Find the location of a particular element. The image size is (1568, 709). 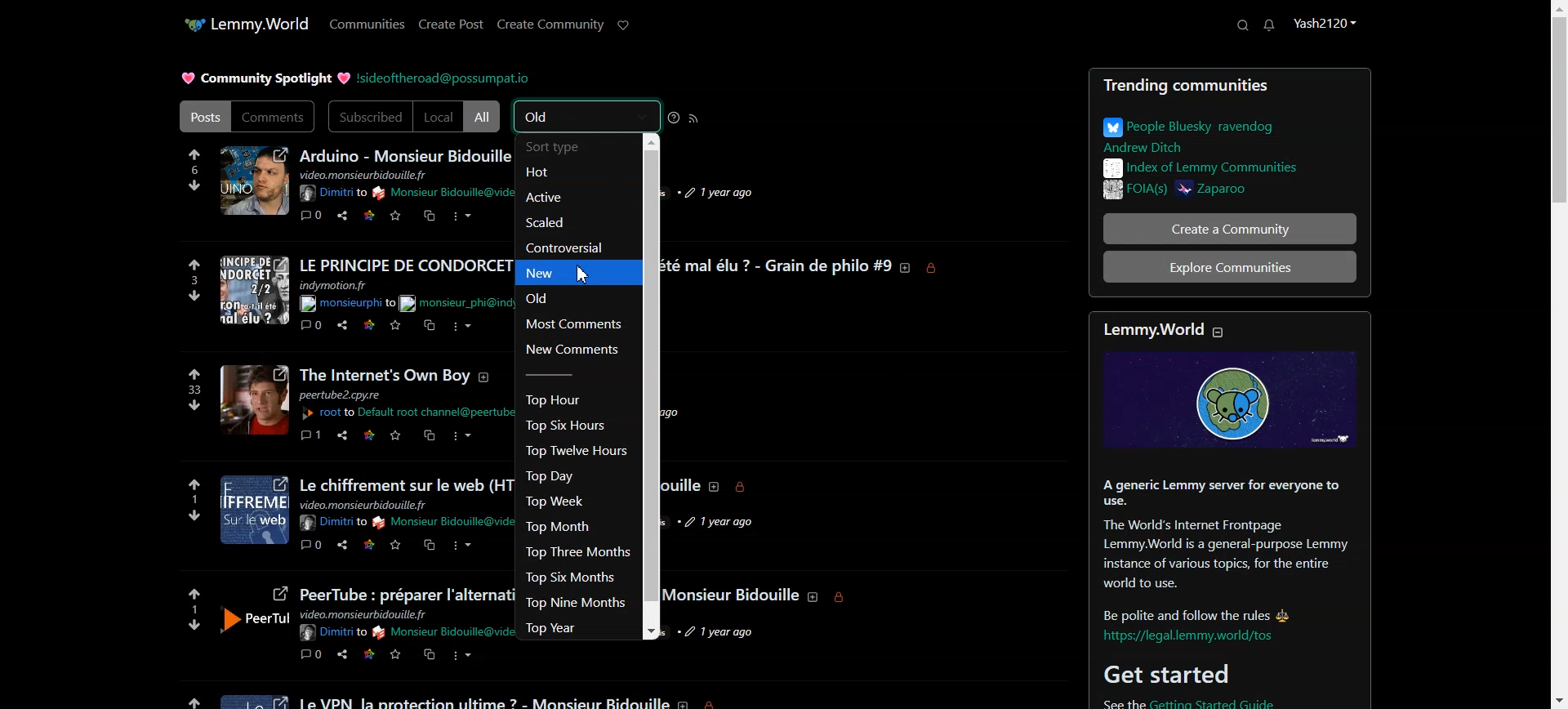

1 is located at coordinates (191, 610).